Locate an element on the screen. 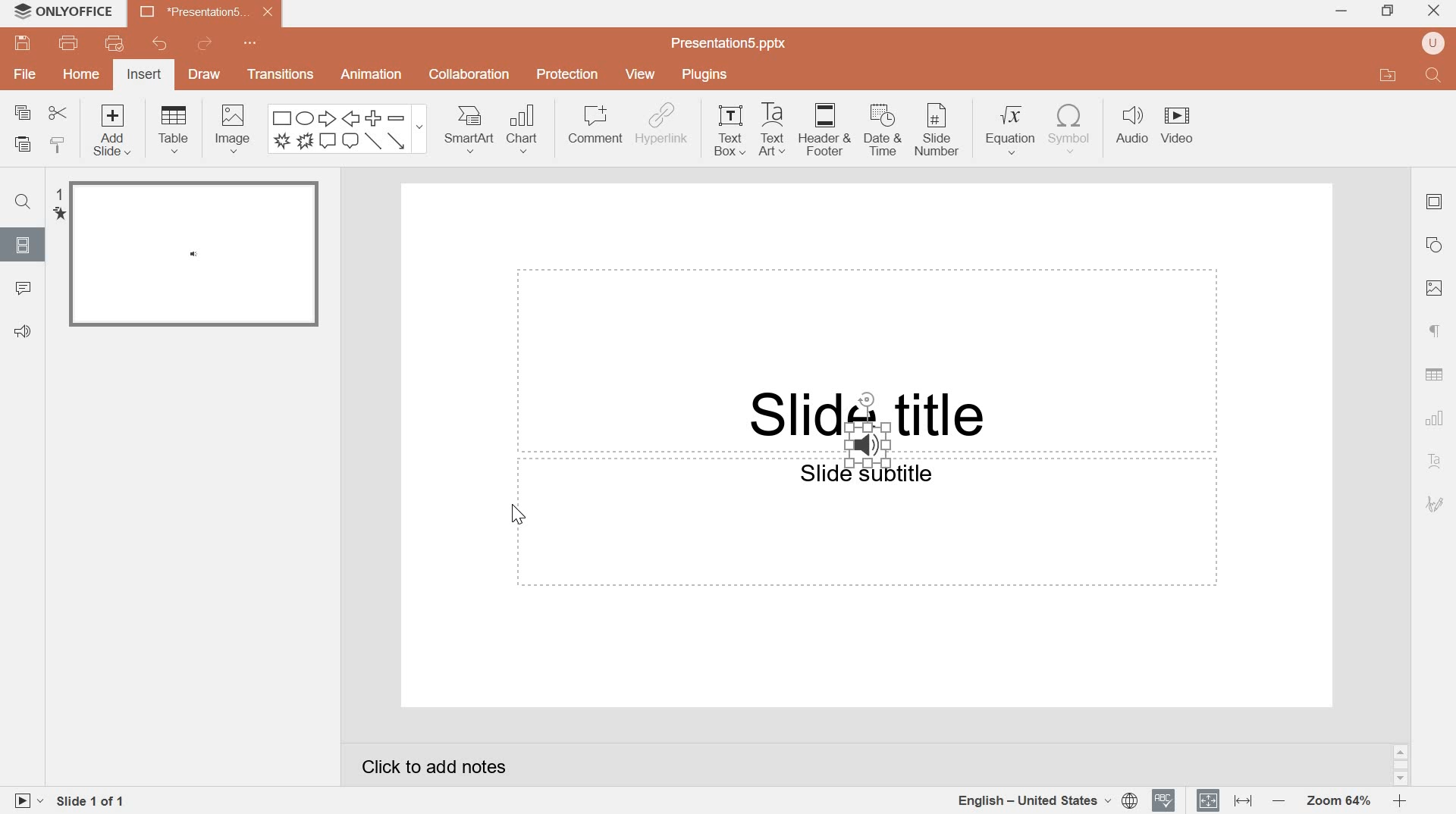  Comment is located at coordinates (595, 125).